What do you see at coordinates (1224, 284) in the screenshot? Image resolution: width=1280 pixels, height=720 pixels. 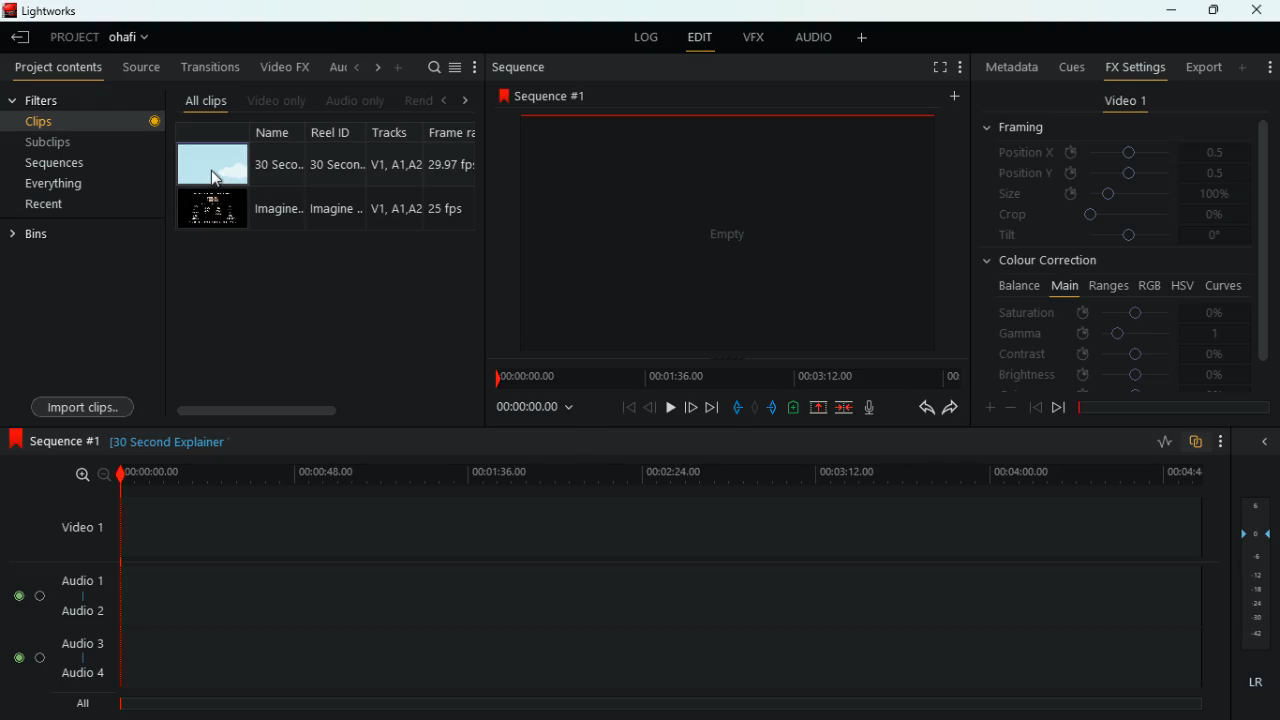 I see `curves` at bounding box center [1224, 284].